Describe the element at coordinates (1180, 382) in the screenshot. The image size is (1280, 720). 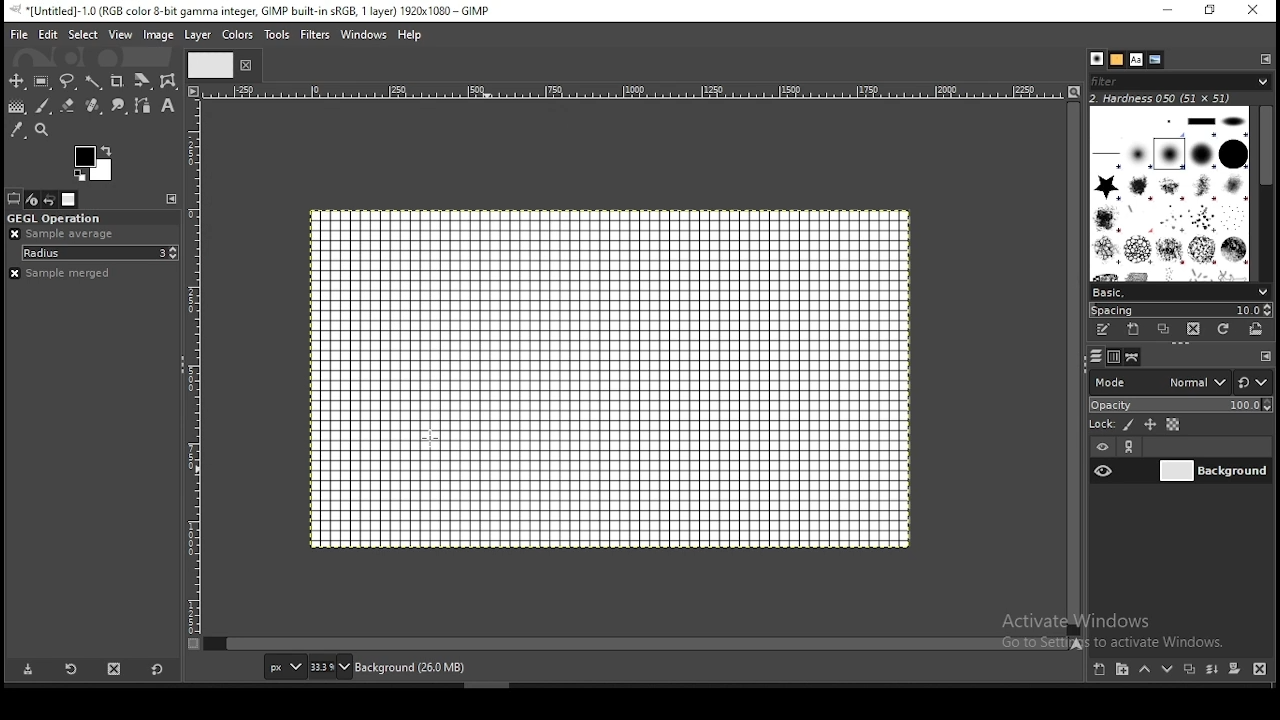
I see `blend mode` at that location.